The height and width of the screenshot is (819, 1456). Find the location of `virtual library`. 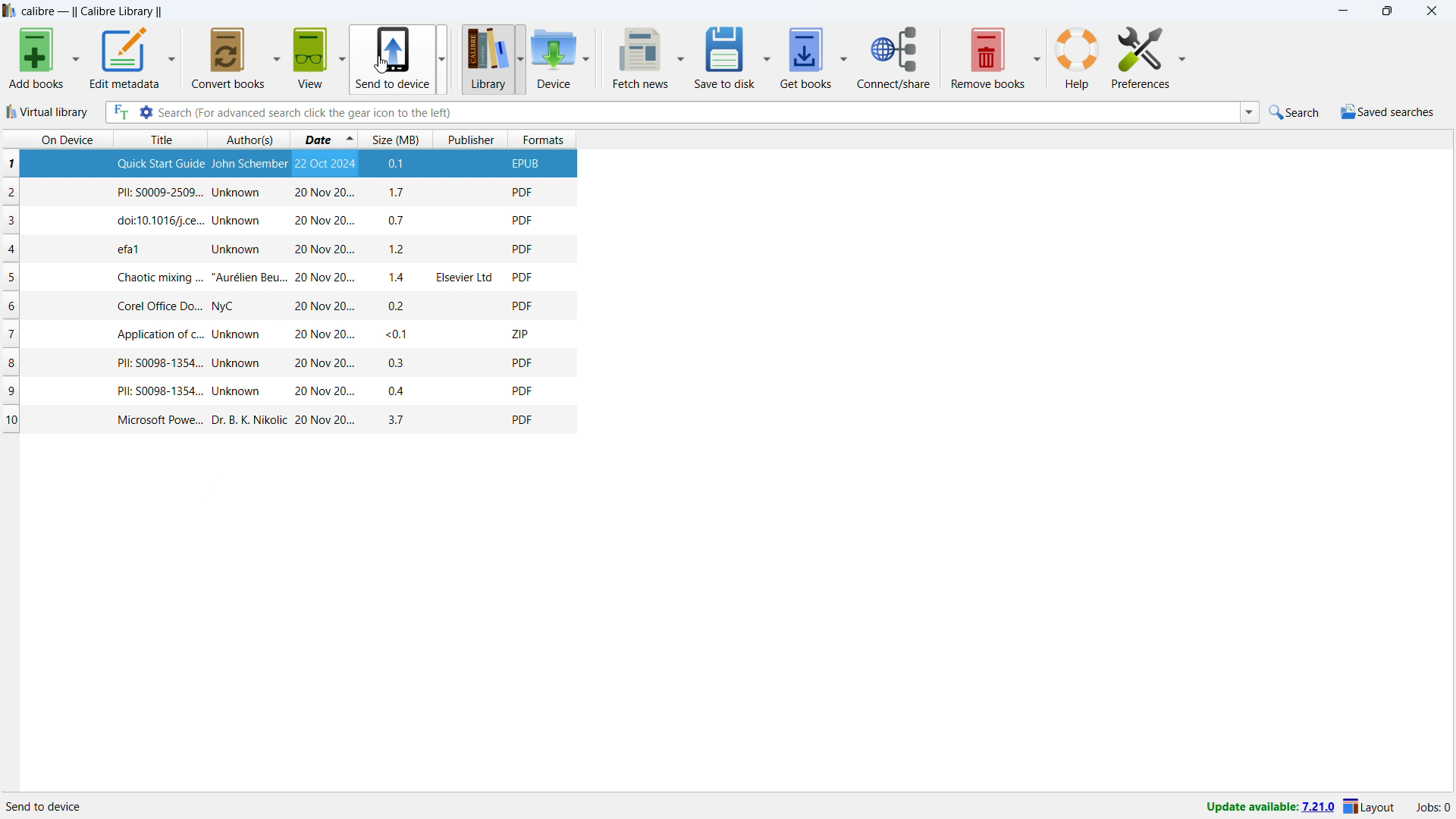

virtual library is located at coordinates (49, 112).